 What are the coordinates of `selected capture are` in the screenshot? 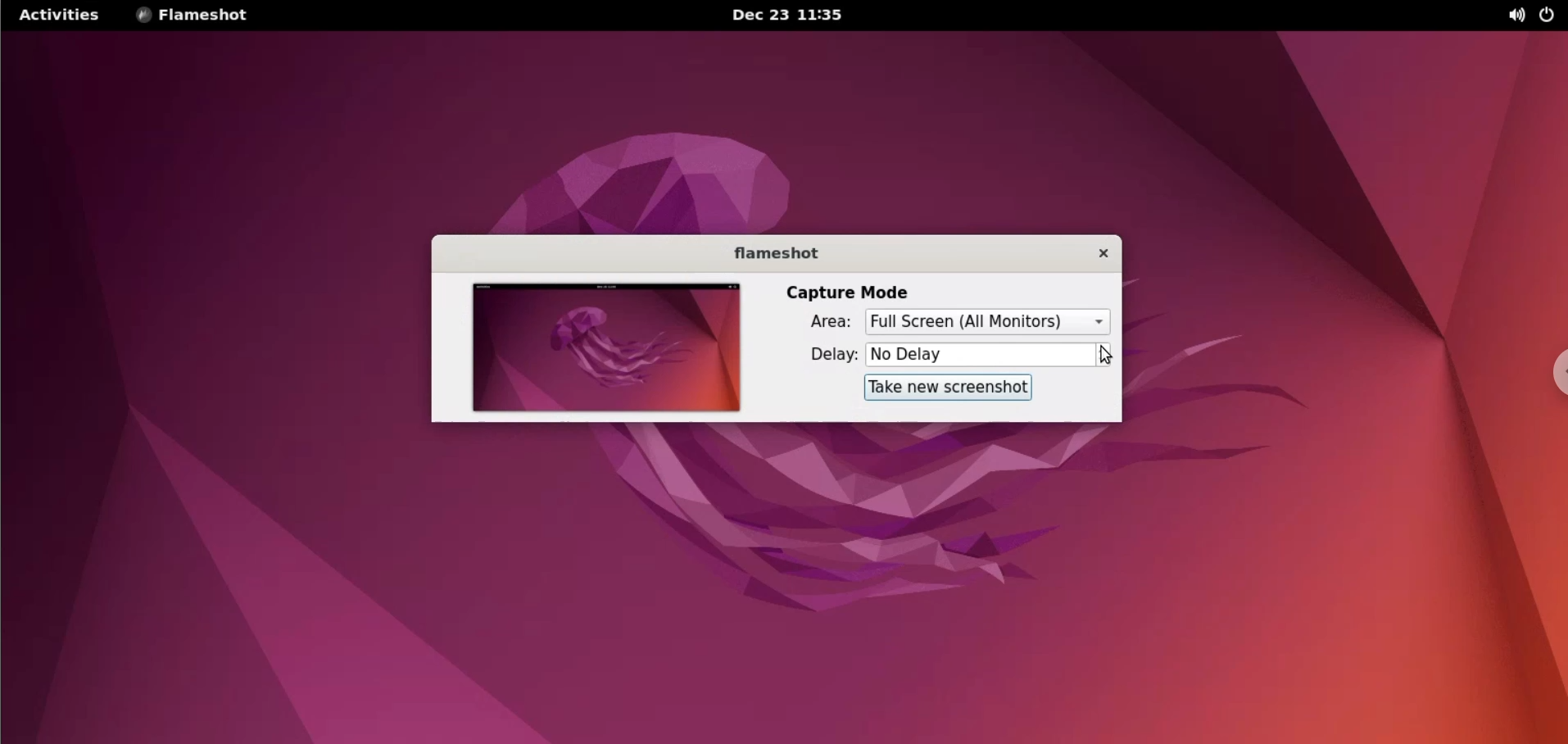 It's located at (988, 322).